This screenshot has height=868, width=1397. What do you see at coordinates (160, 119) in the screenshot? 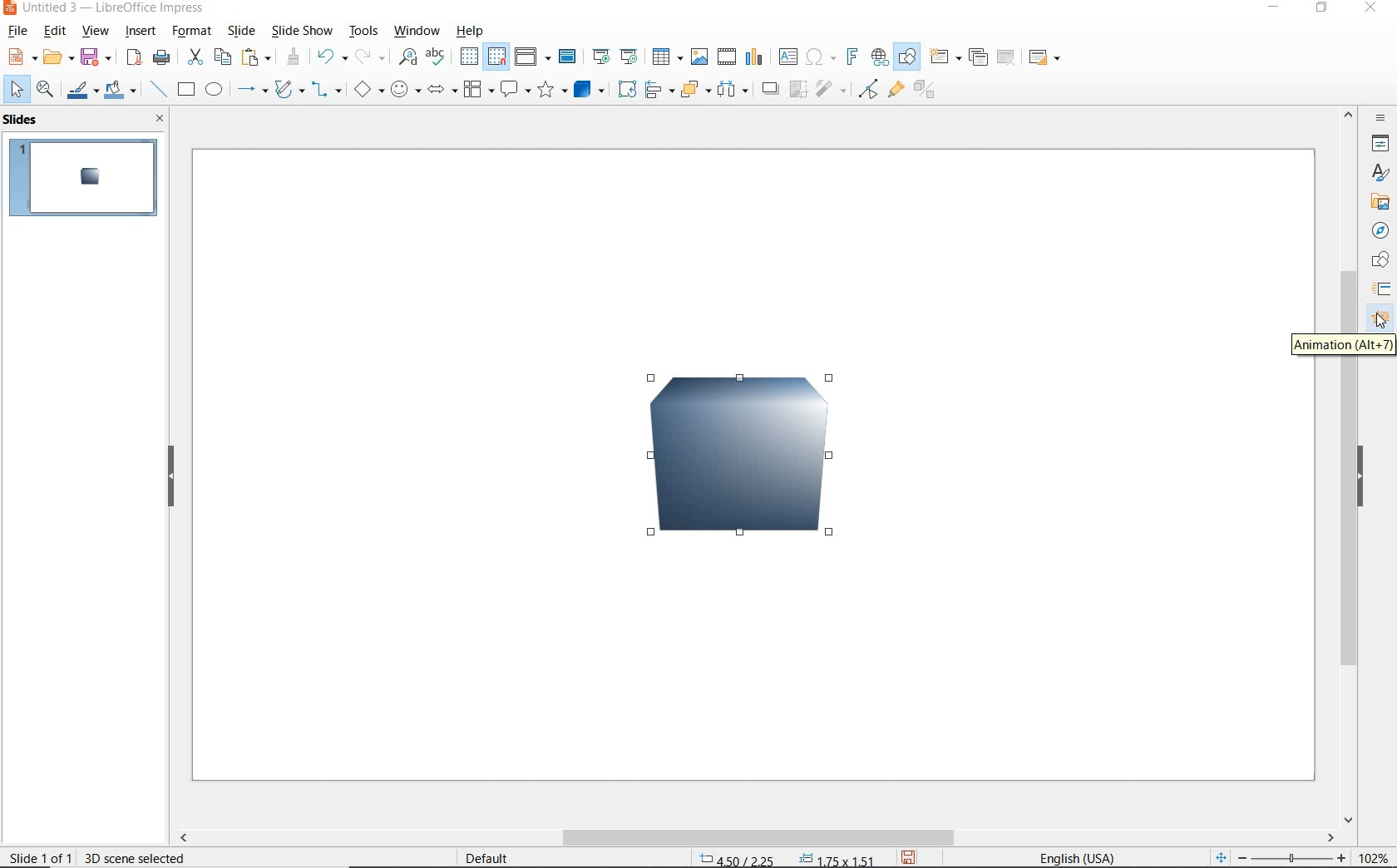
I see `close` at bounding box center [160, 119].